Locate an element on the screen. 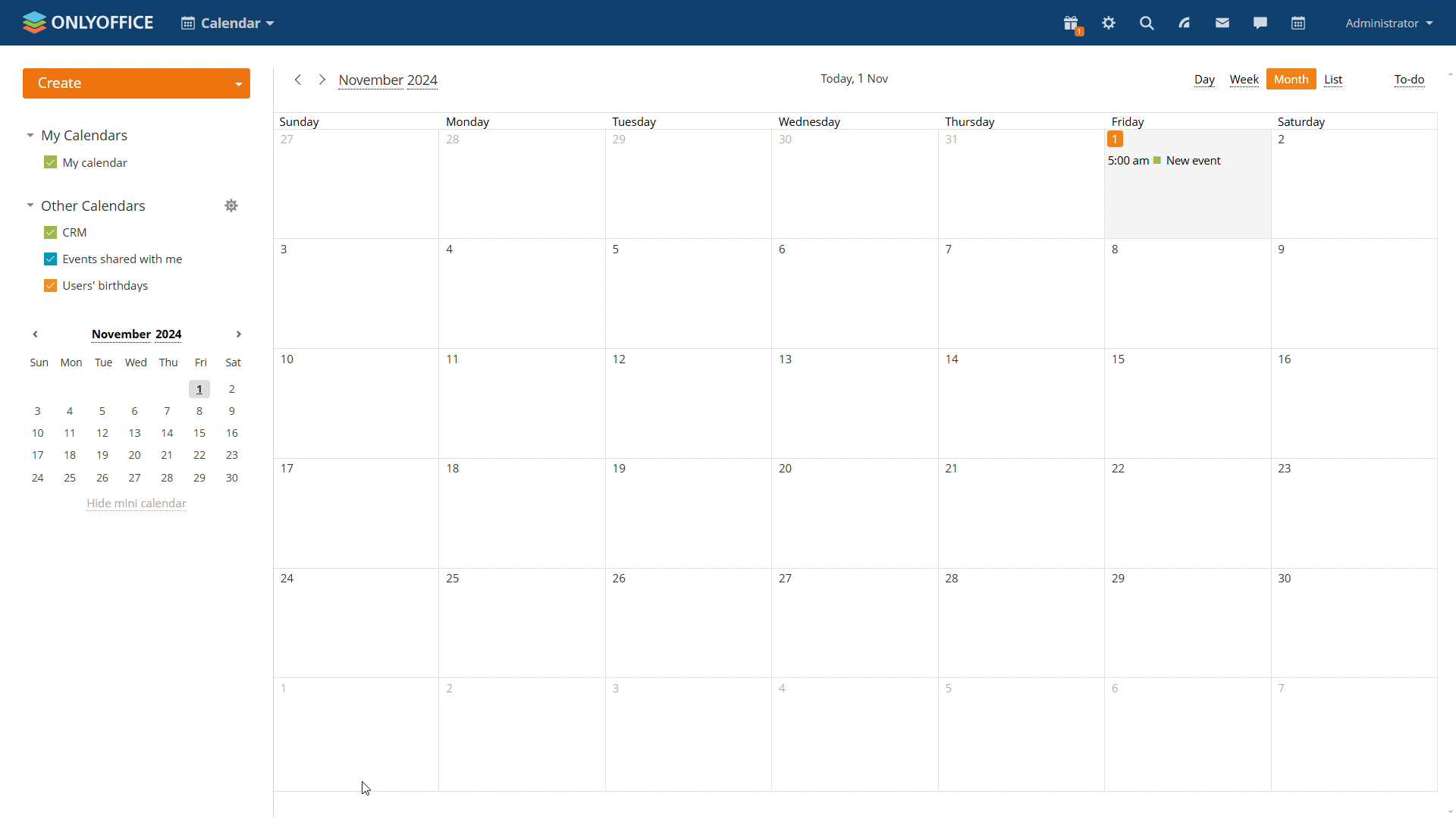 The height and width of the screenshot is (819, 1456). go to previous month is located at coordinates (297, 80).